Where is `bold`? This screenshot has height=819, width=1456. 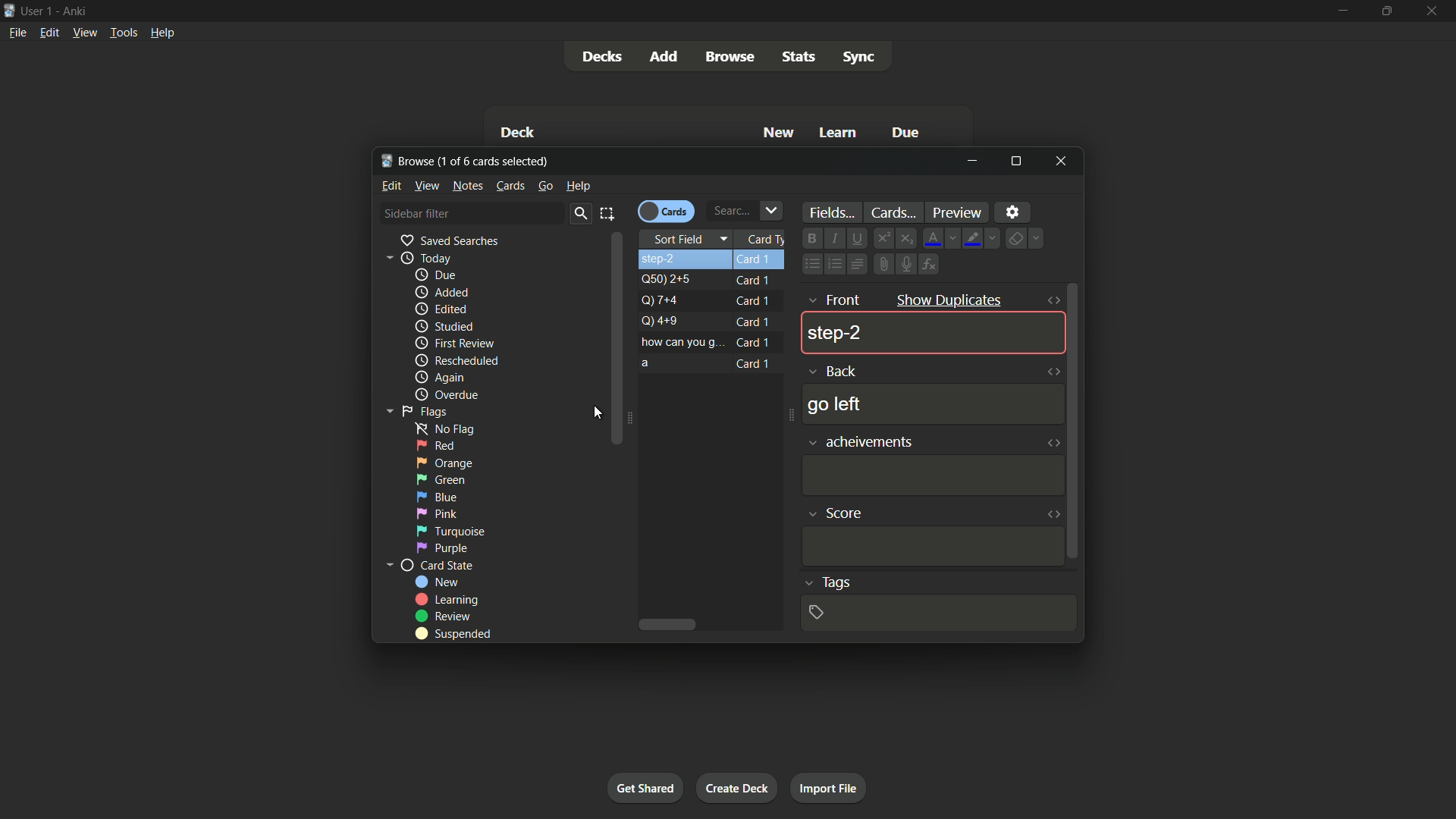
bold is located at coordinates (811, 239).